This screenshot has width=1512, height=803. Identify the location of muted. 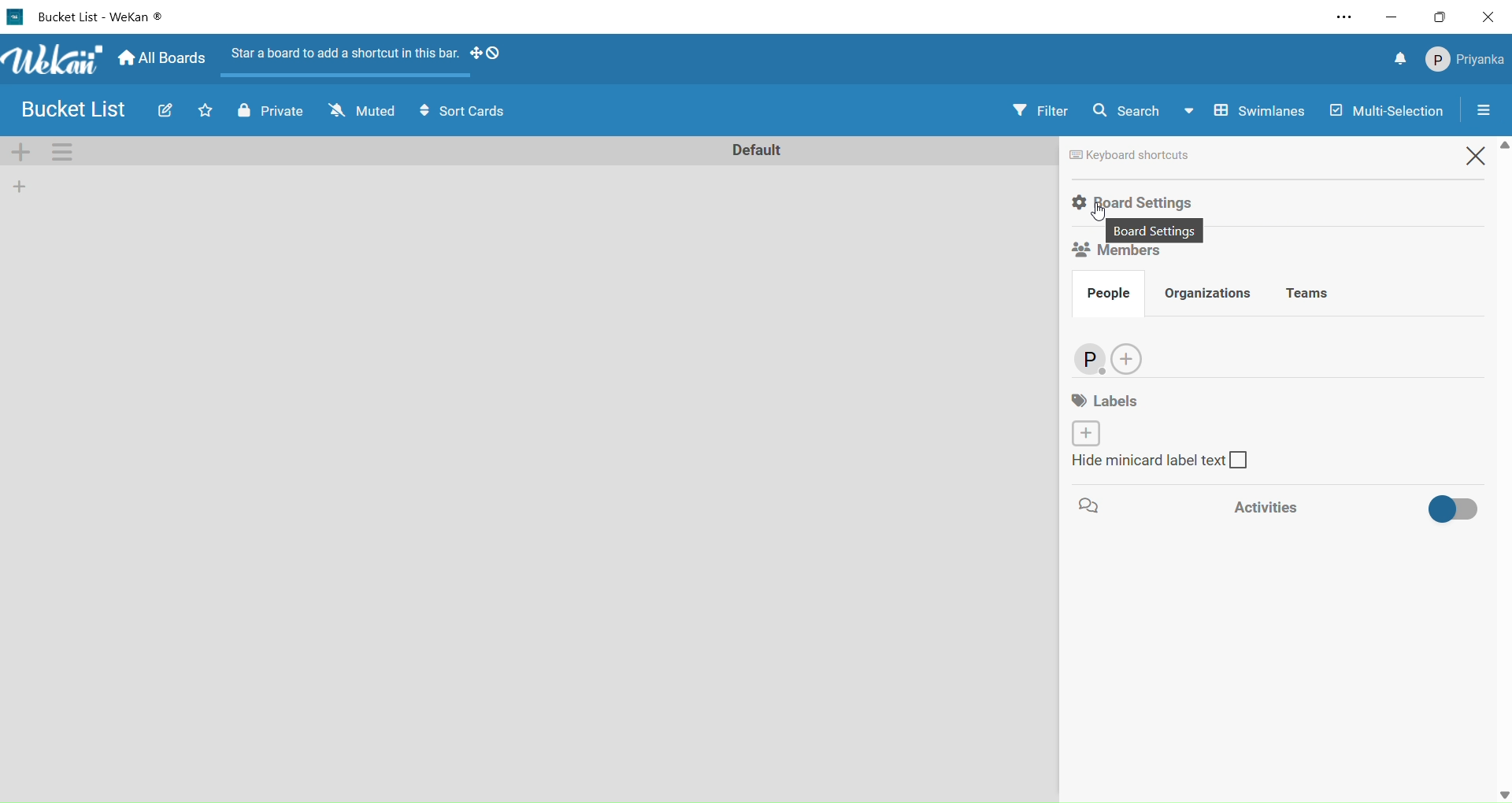
(360, 111).